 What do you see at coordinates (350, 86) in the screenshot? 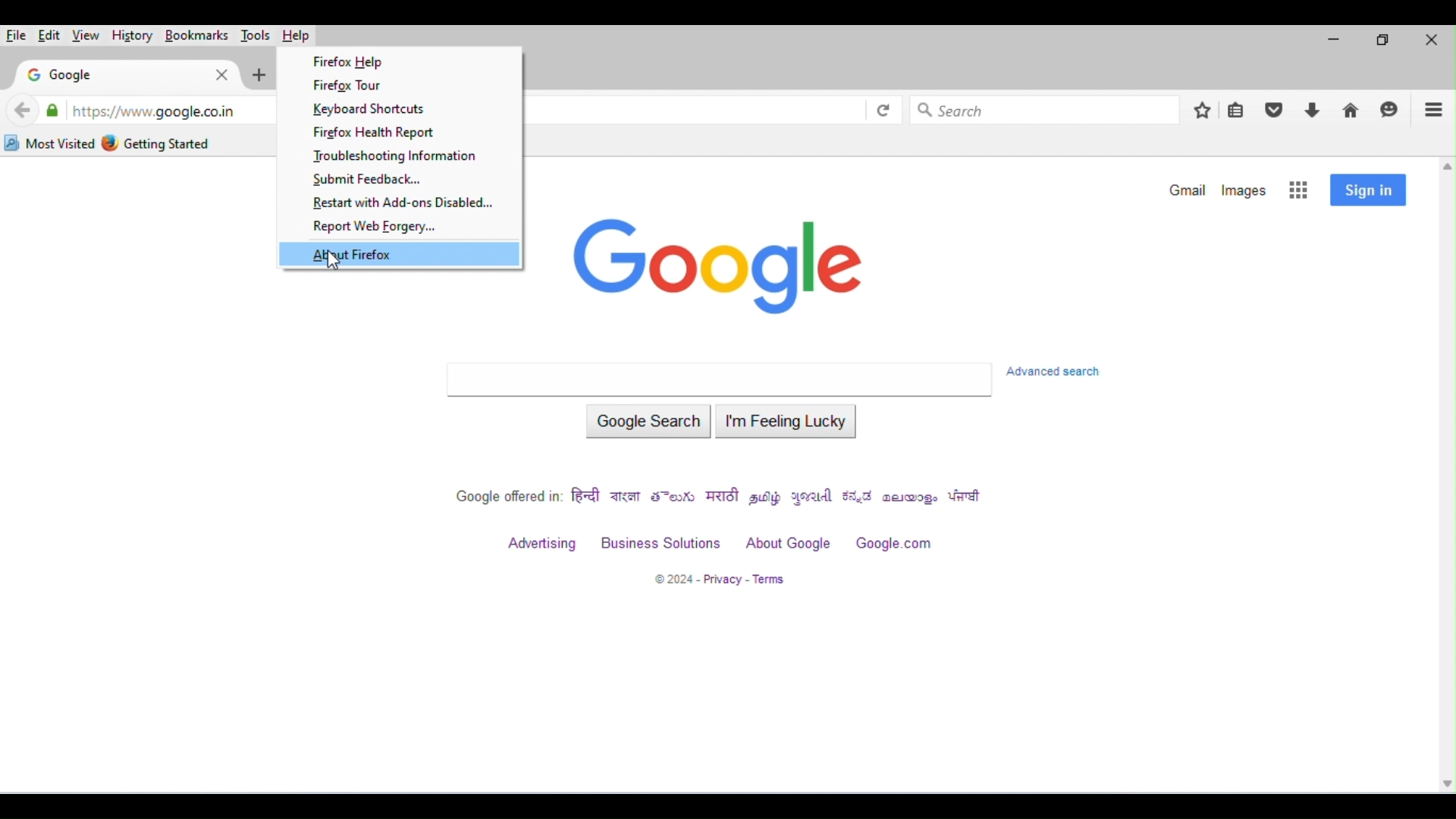
I see `firefox tour` at bounding box center [350, 86].